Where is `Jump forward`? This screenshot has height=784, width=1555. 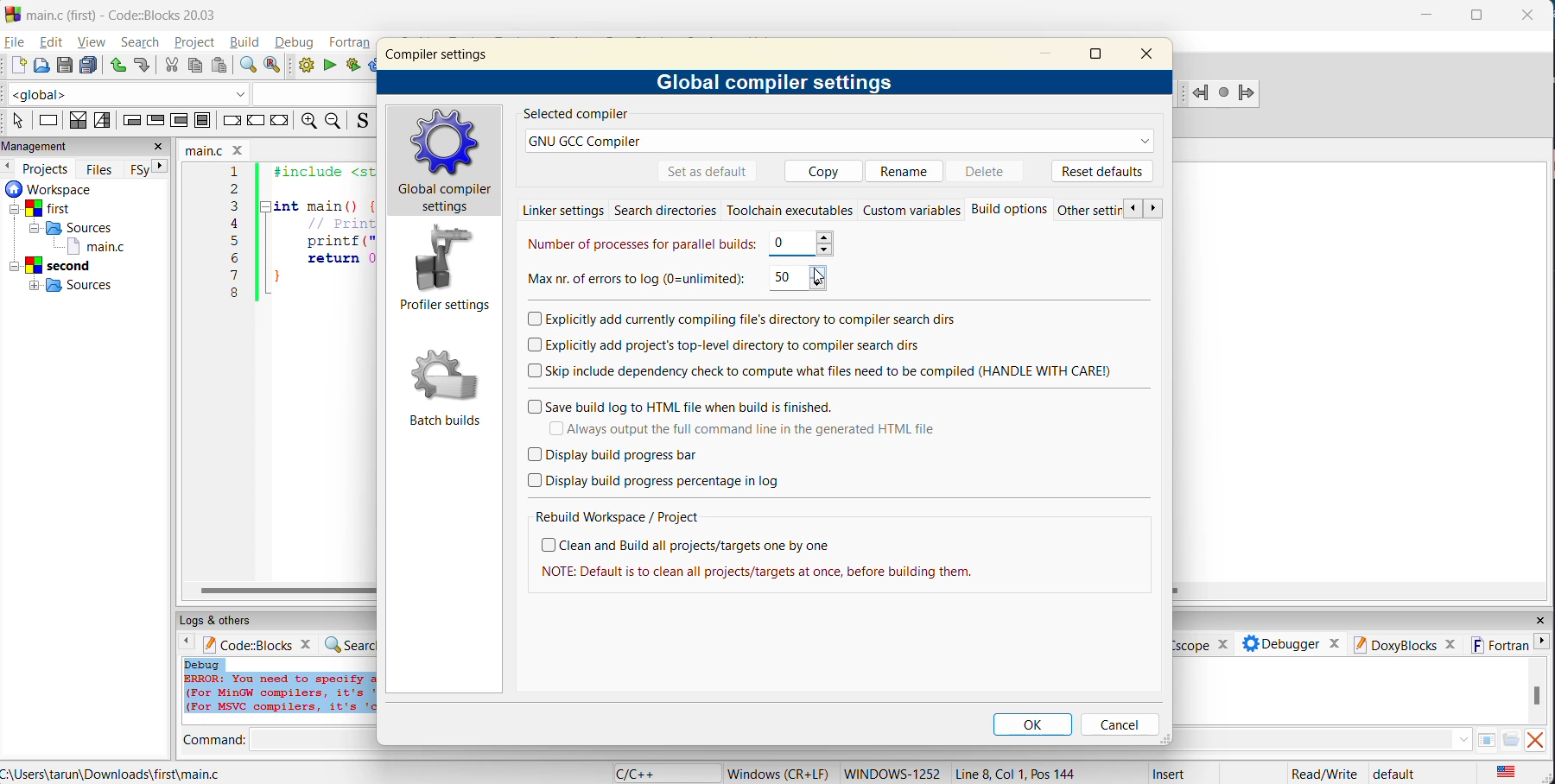 Jump forward is located at coordinates (1246, 93).